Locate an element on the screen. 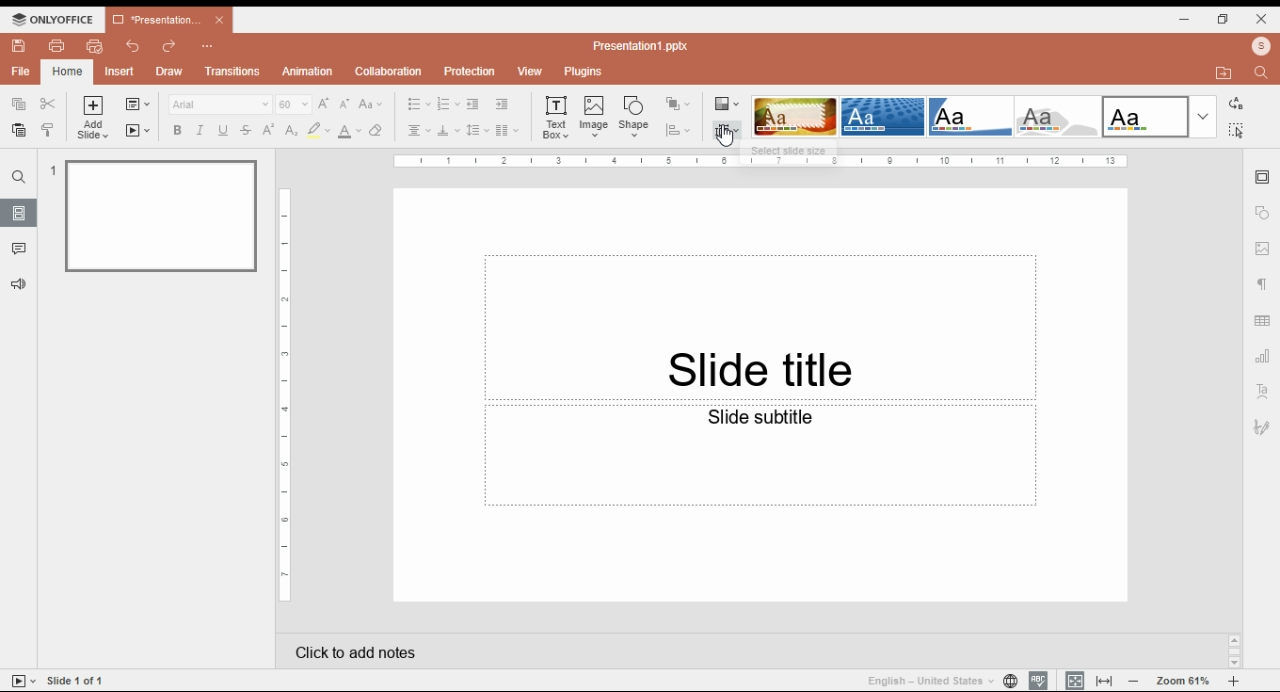 This screenshot has height=692, width=1280. line spacing is located at coordinates (478, 131).